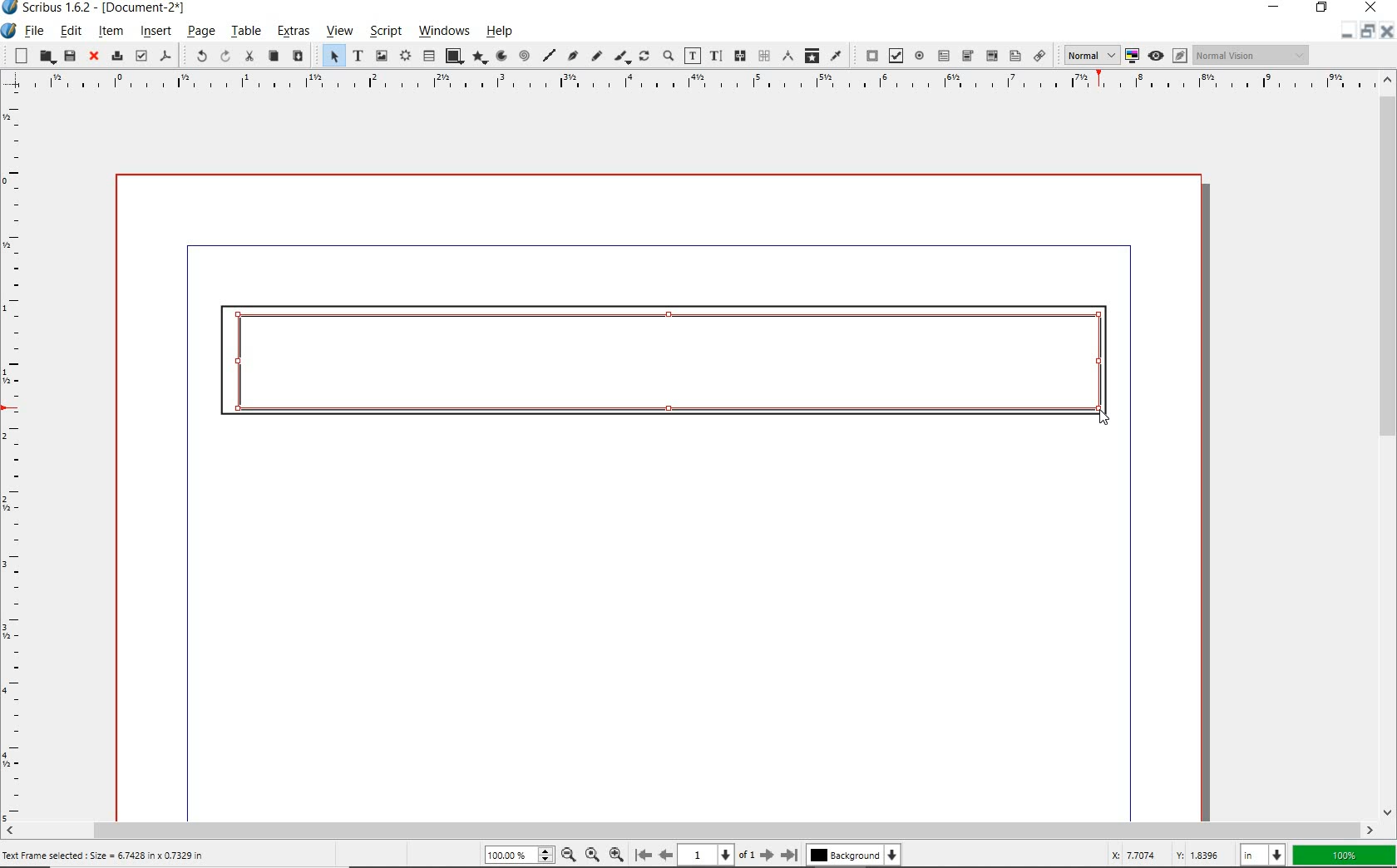 Image resolution: width=1397 pixels, height=868 pixels. What do you see at coordinates (944, 56) in the screenshot?
I see `pdf text field` at bounding box center [944, 56].